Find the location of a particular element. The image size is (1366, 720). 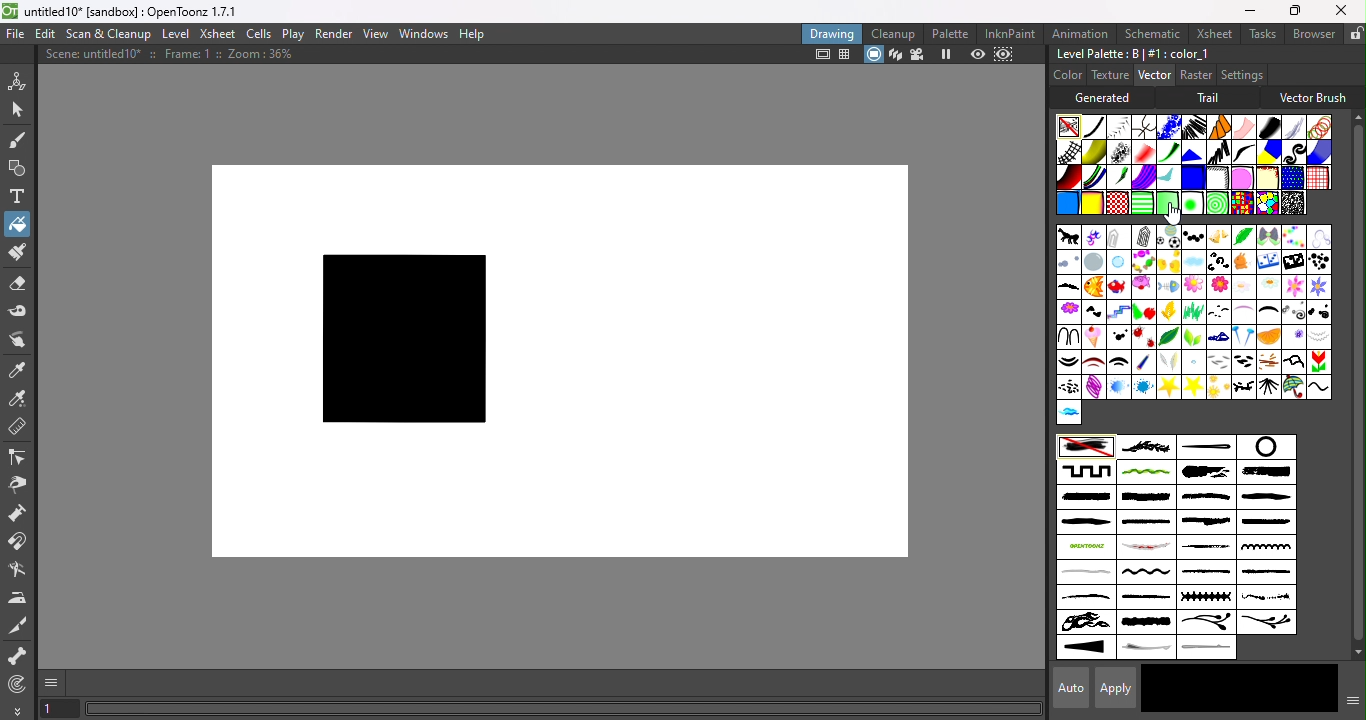

3D View is located at coordinates (893, 55).